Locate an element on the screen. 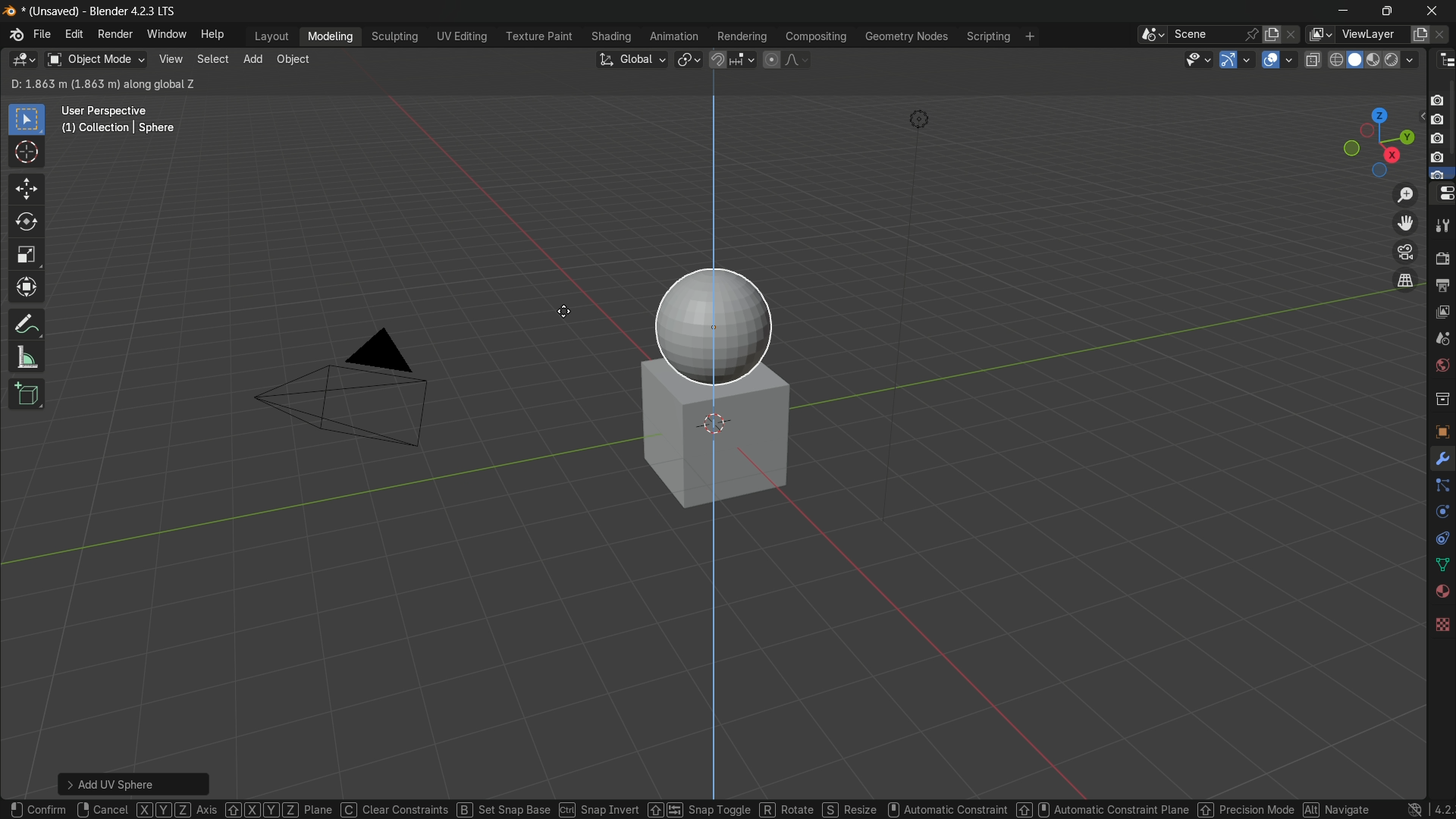 This screenshot has height=819, width=1456. Precision Mode is located at coordinates (1131, 806).